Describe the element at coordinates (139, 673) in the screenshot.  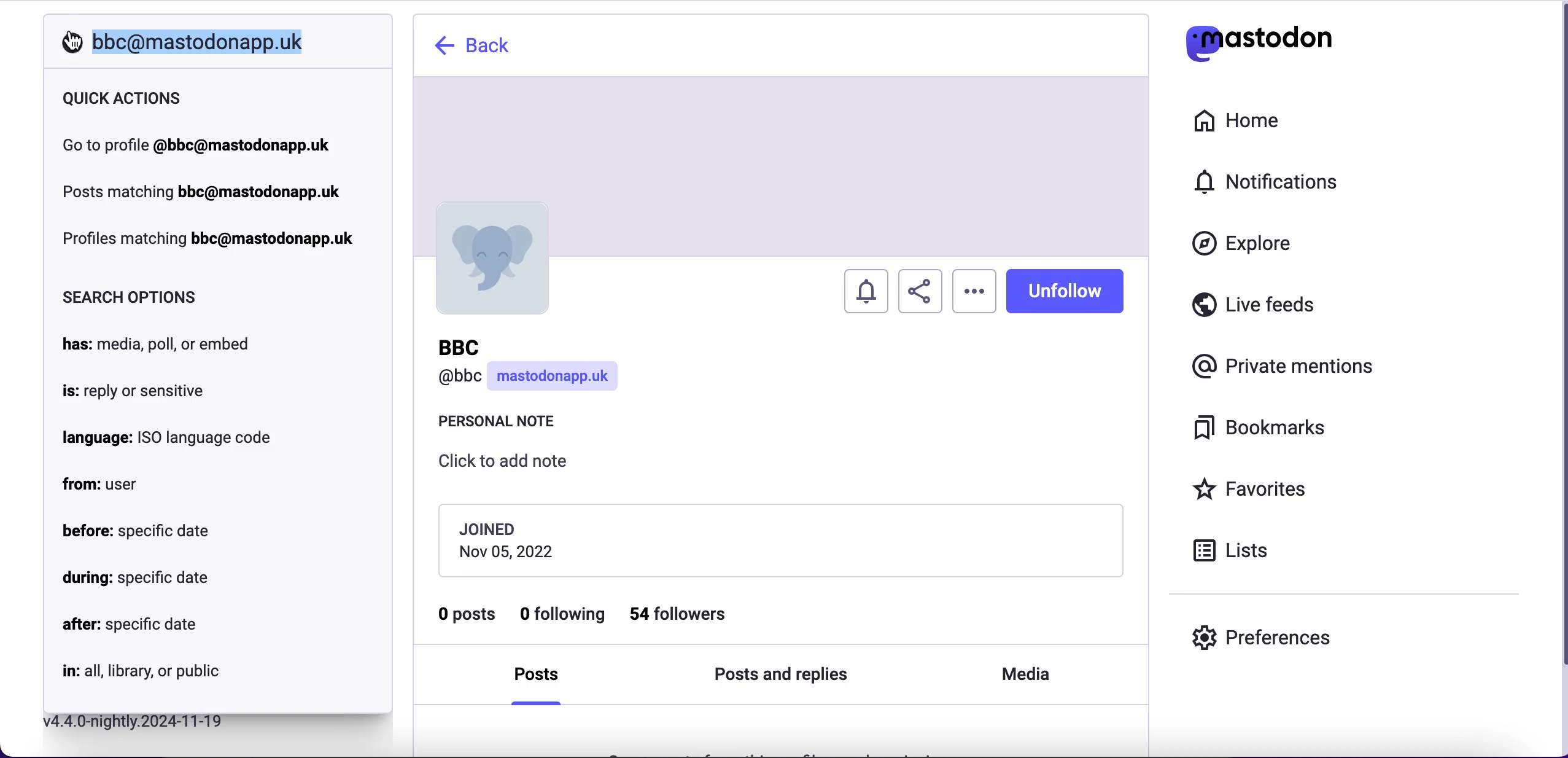
I see `in` at that location.